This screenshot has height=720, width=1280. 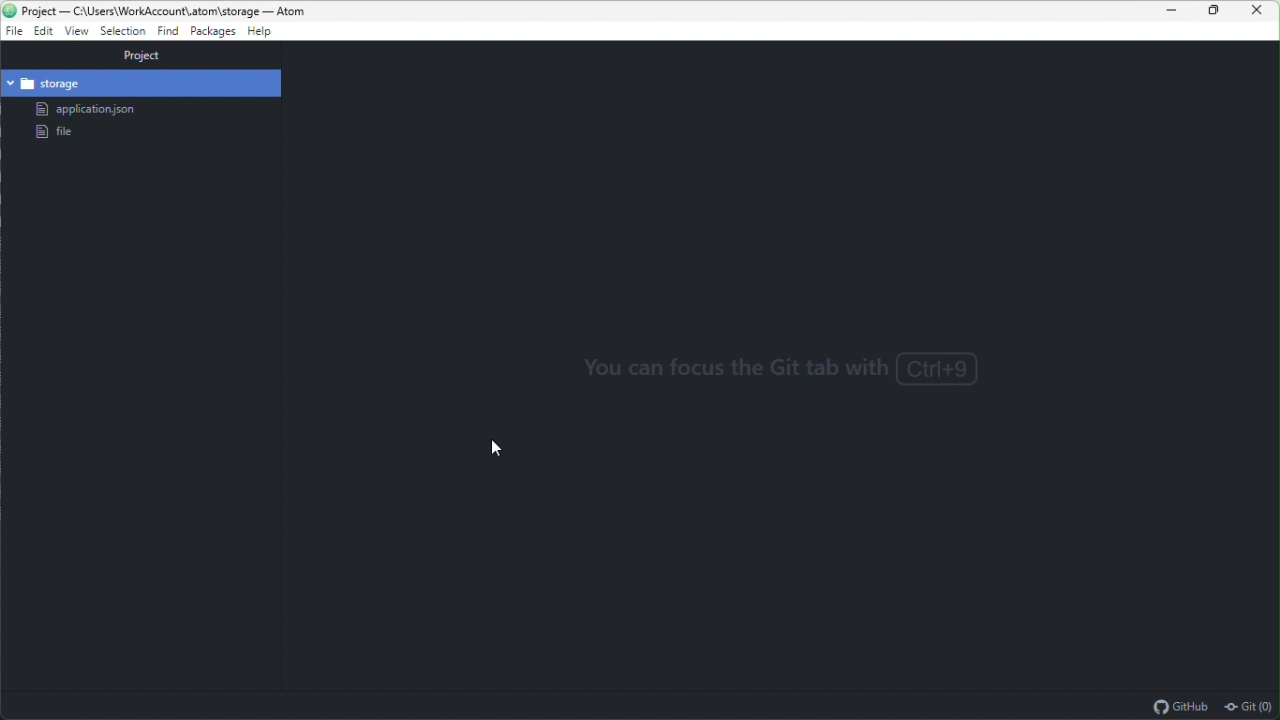 I want to click on github, so click(x=1182, y=707).